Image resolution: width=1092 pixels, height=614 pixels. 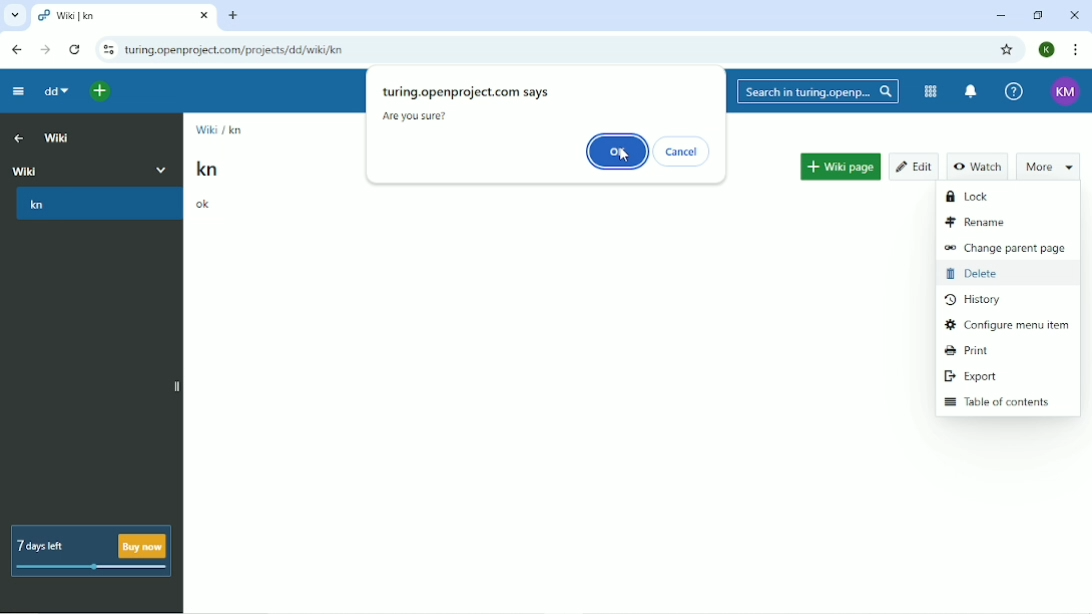 What do you see at coordinates (1006, 324) in the screenshot?
I see `Configure menu item` at bounding box center [1006, 324].